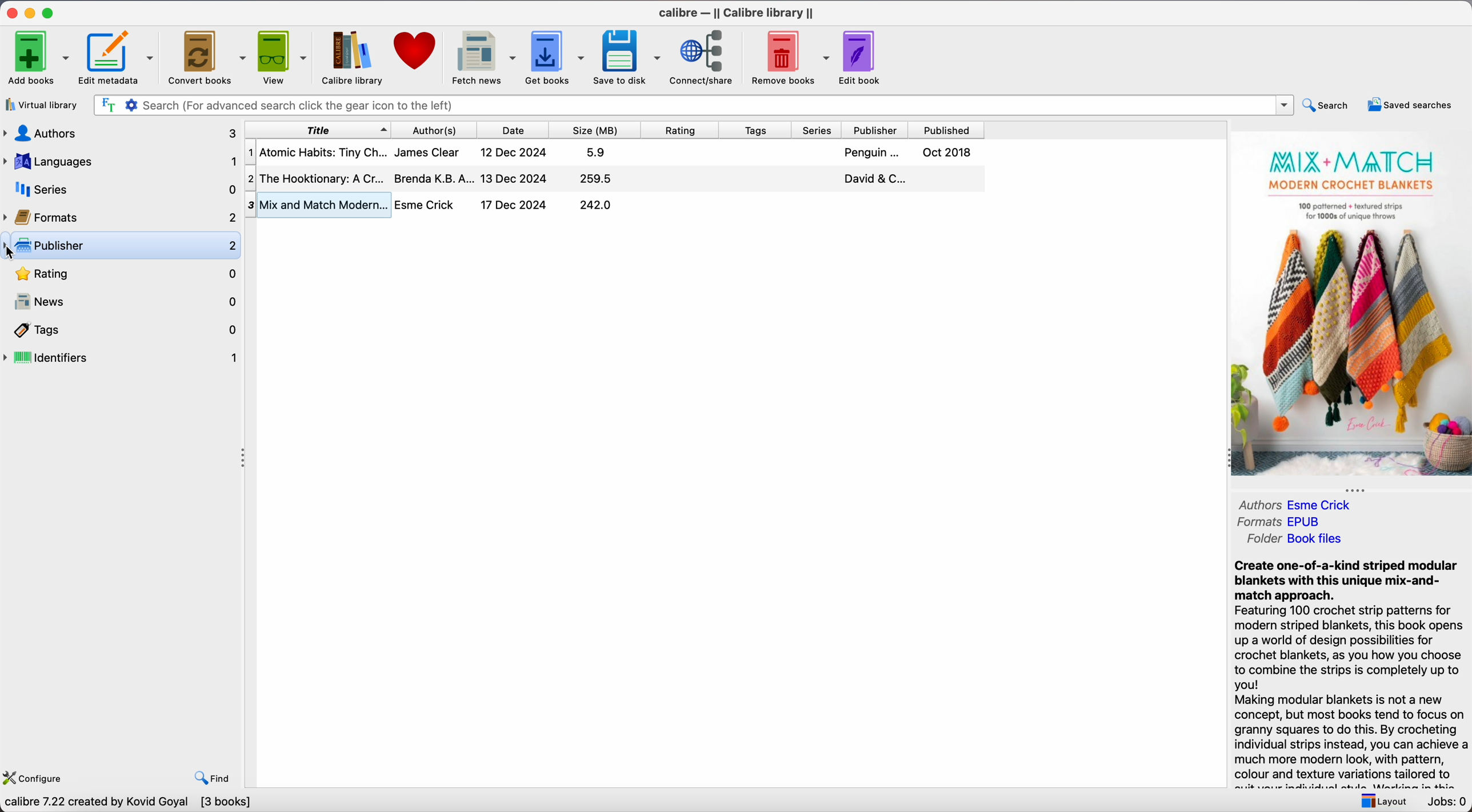  Describe the element at coordinates (207, 56) in the screenshot. I see `convert books` at that location.